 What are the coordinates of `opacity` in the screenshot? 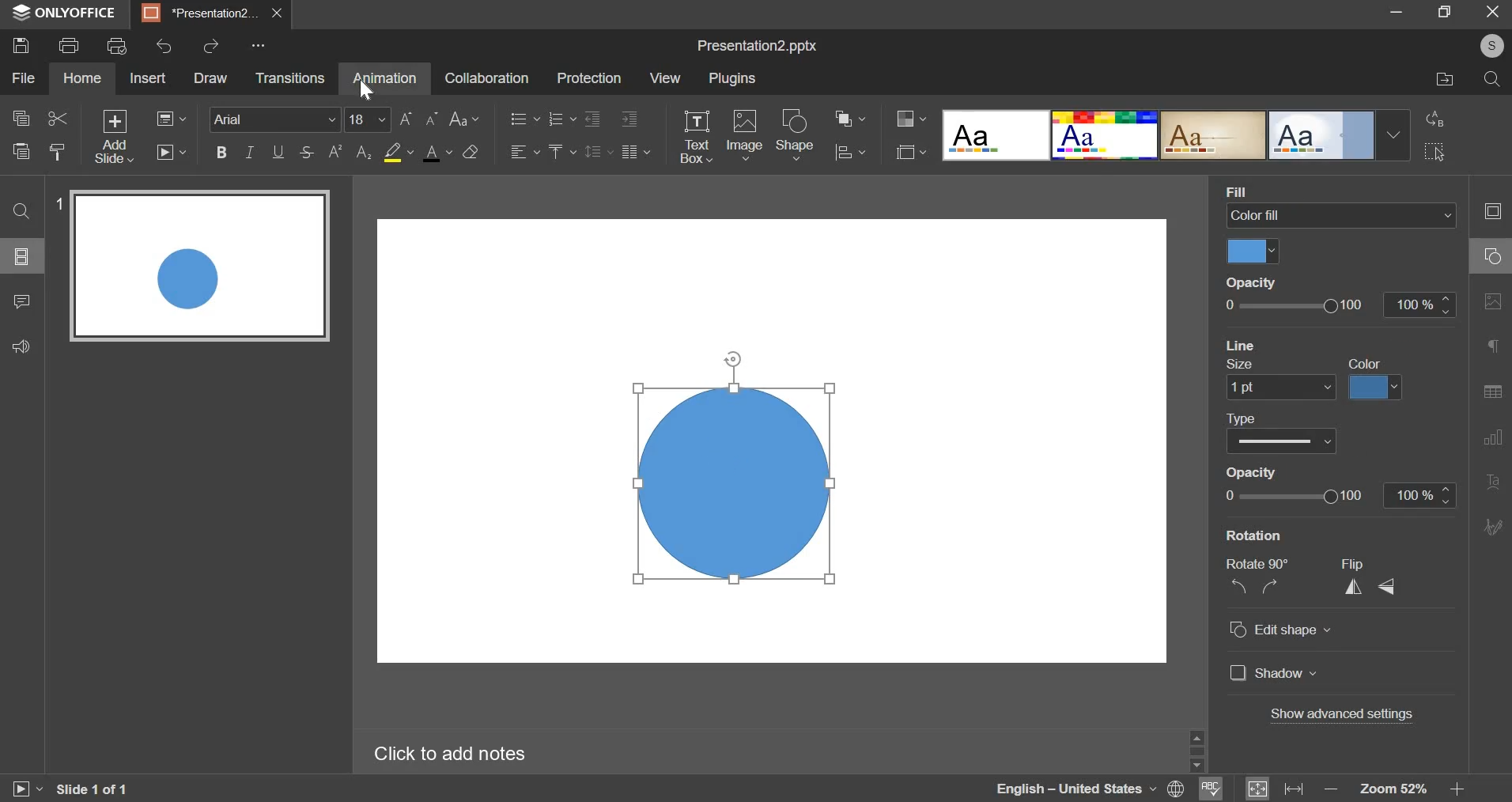 It's located at (1341, 305).